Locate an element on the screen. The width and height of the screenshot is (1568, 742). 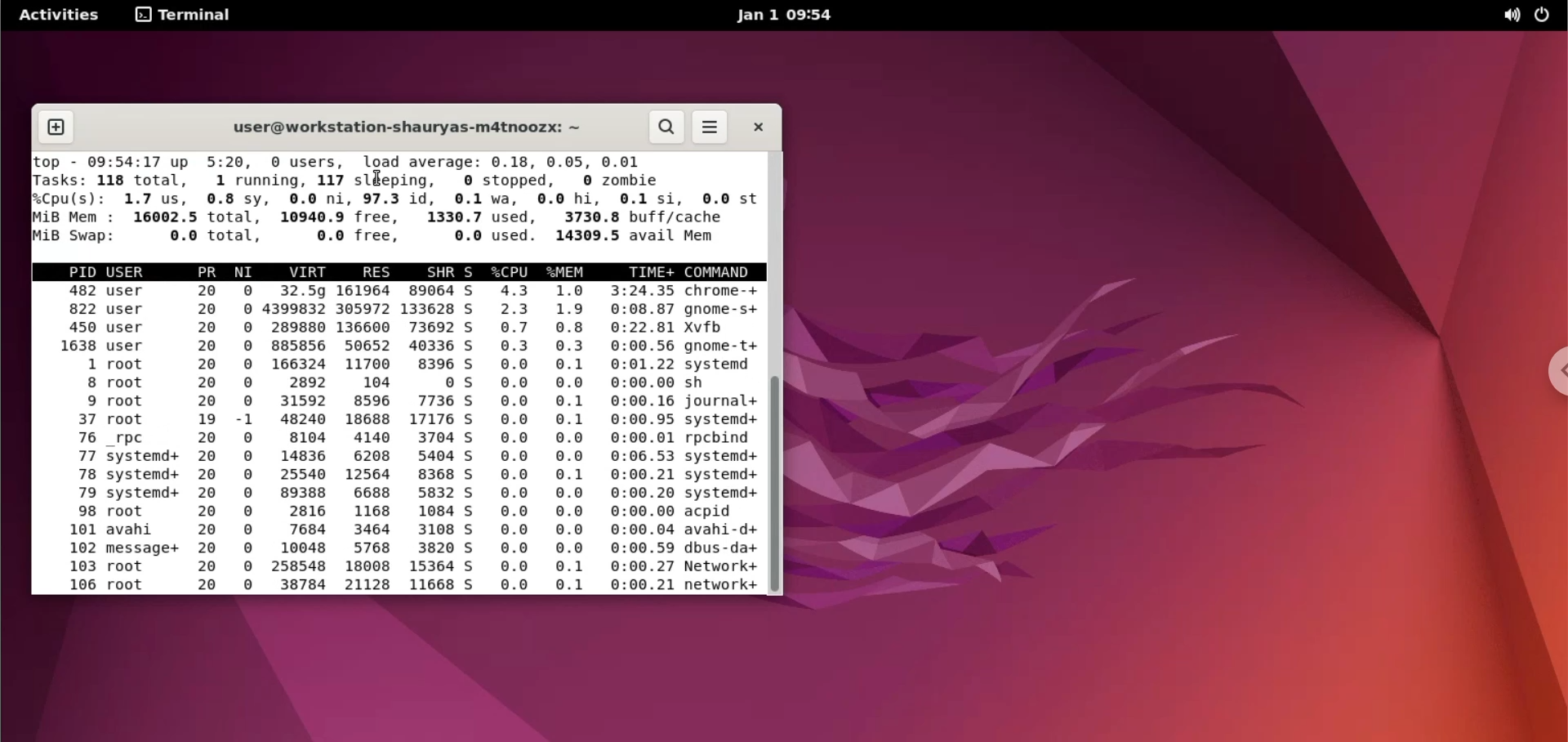
chrome options is located at coordinates (1552, 371).